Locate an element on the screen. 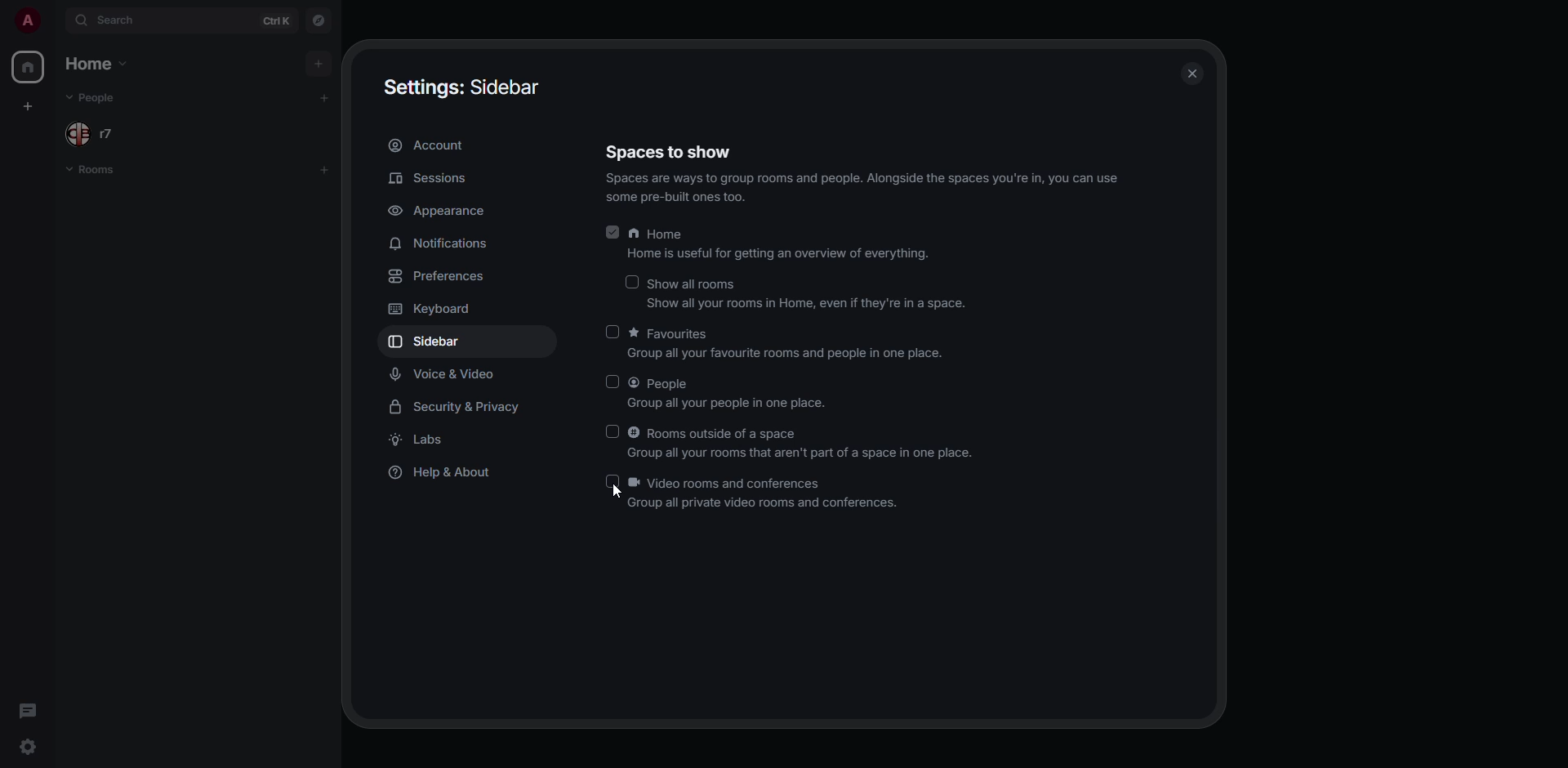 The height and width of the screenshot is (768, 1568). k Video rooms and conferences
roup all private video rooms and conferences. is located at coordinates (770, 490).